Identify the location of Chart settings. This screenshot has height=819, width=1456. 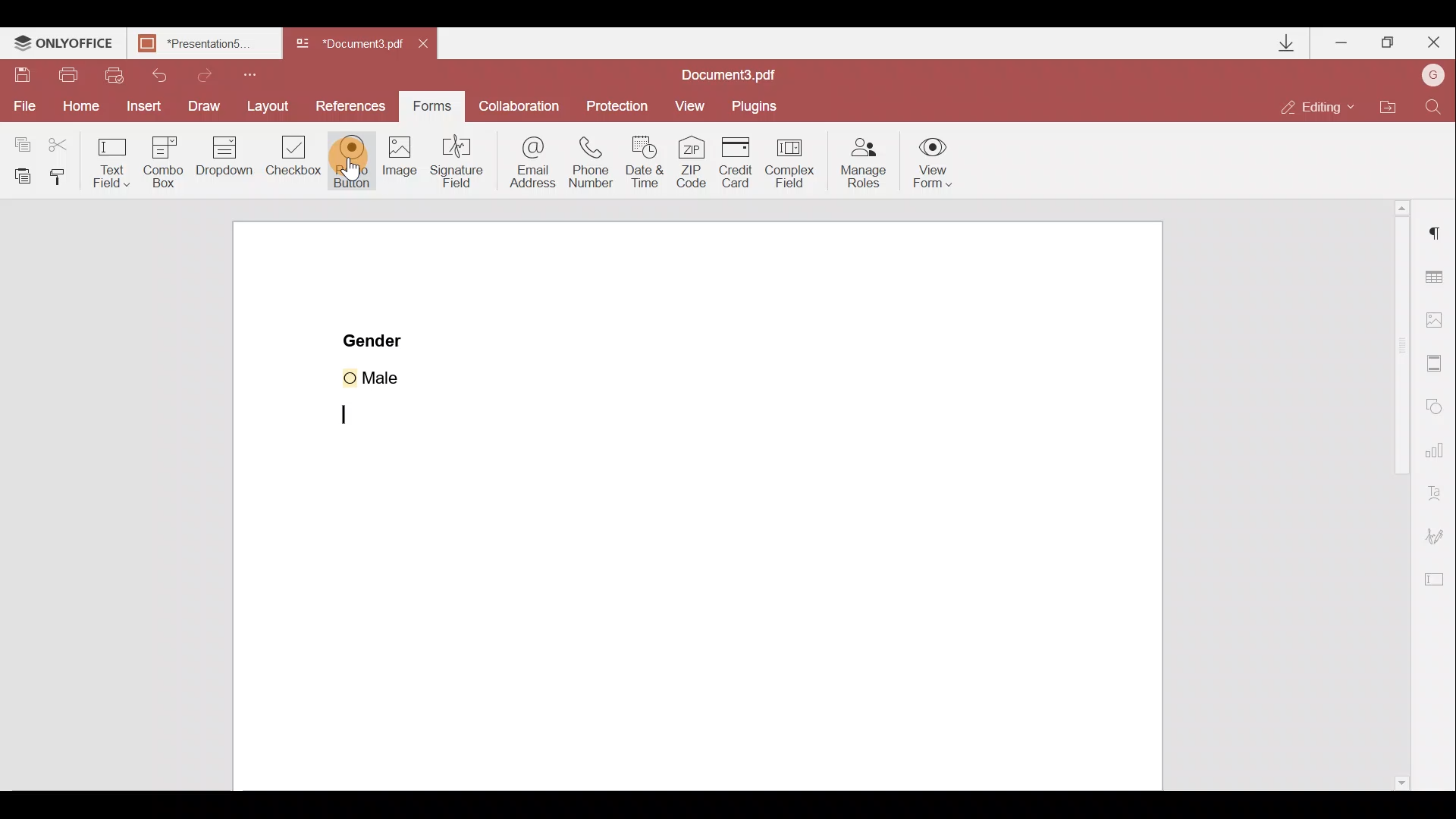
(1437, 456).